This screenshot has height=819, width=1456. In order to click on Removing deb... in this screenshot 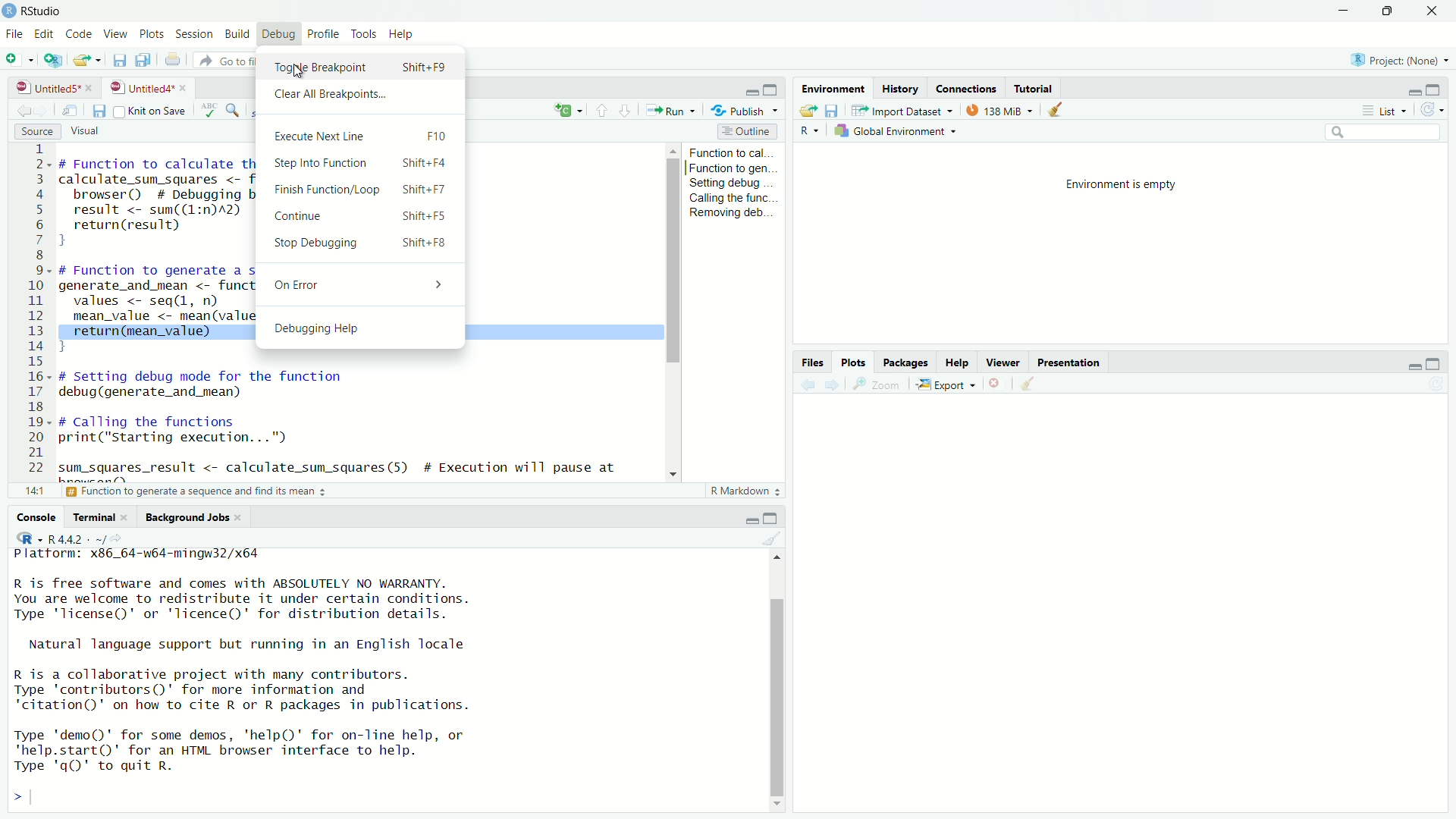, I will do `click(734, 215)`.